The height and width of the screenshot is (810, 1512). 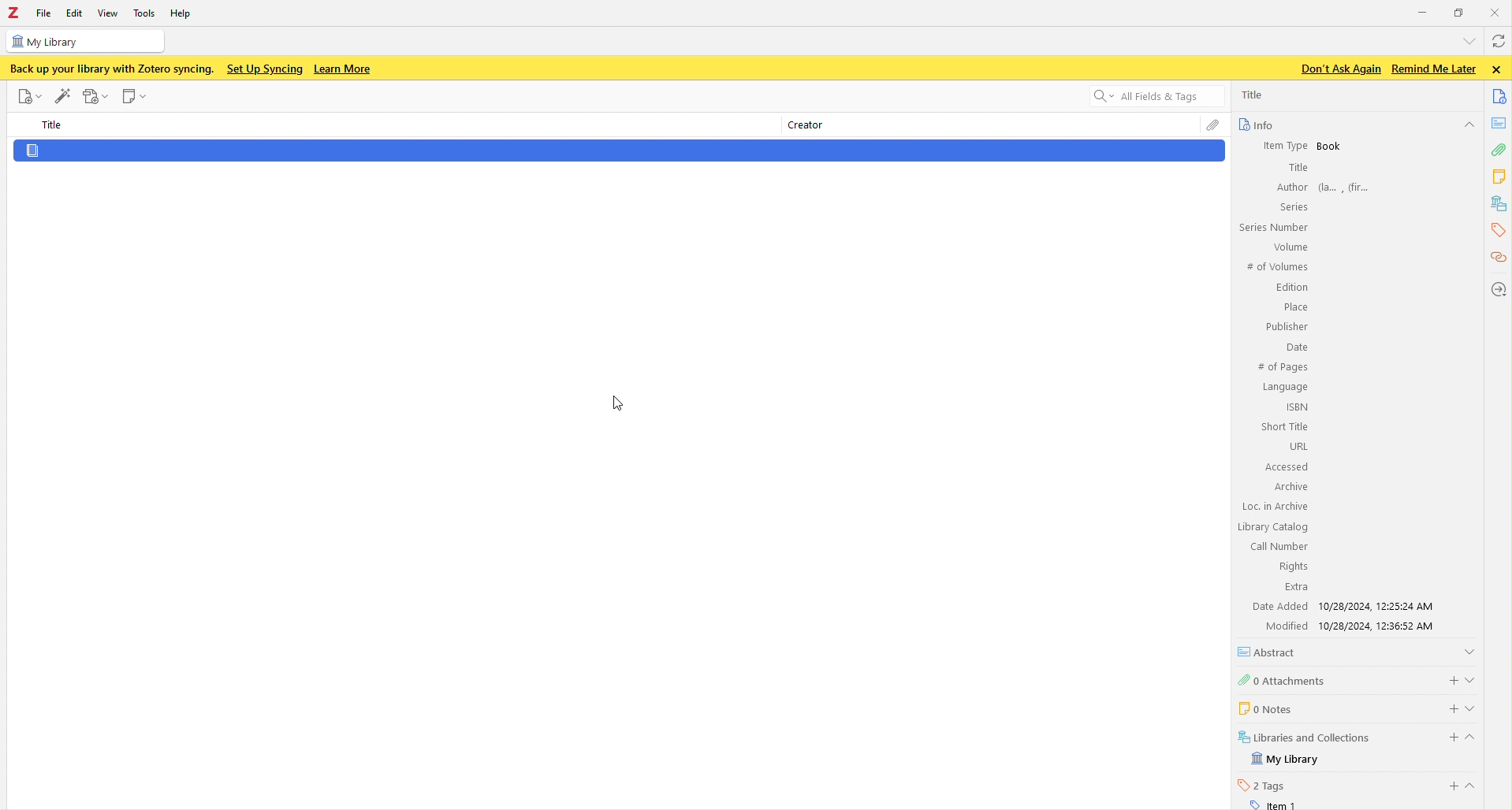 I want to click on 5 Libraries and Collections, so click(x=1305, y=736).